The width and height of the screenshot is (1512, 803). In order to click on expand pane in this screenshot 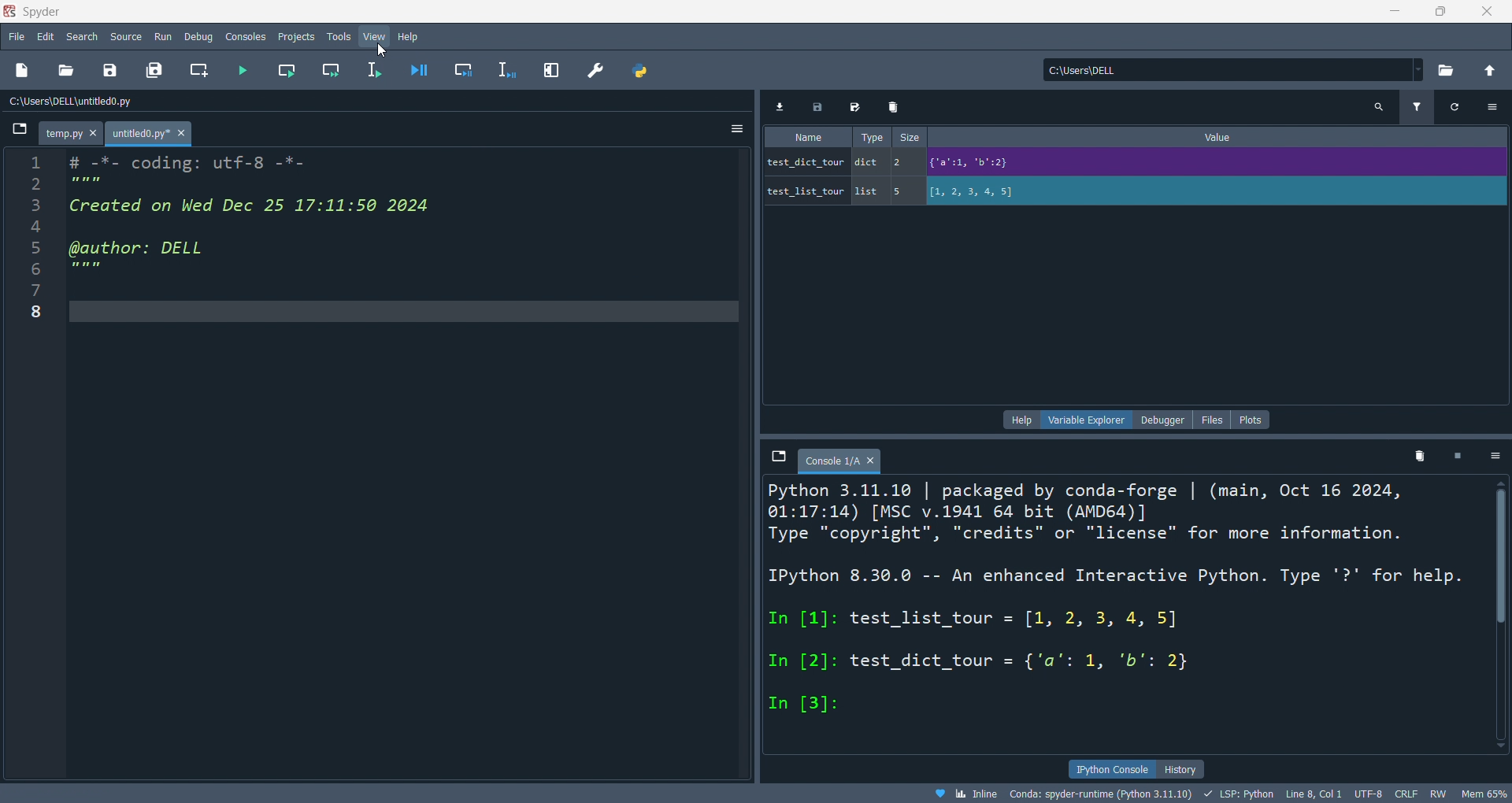, I will do `click(553, 68)`.